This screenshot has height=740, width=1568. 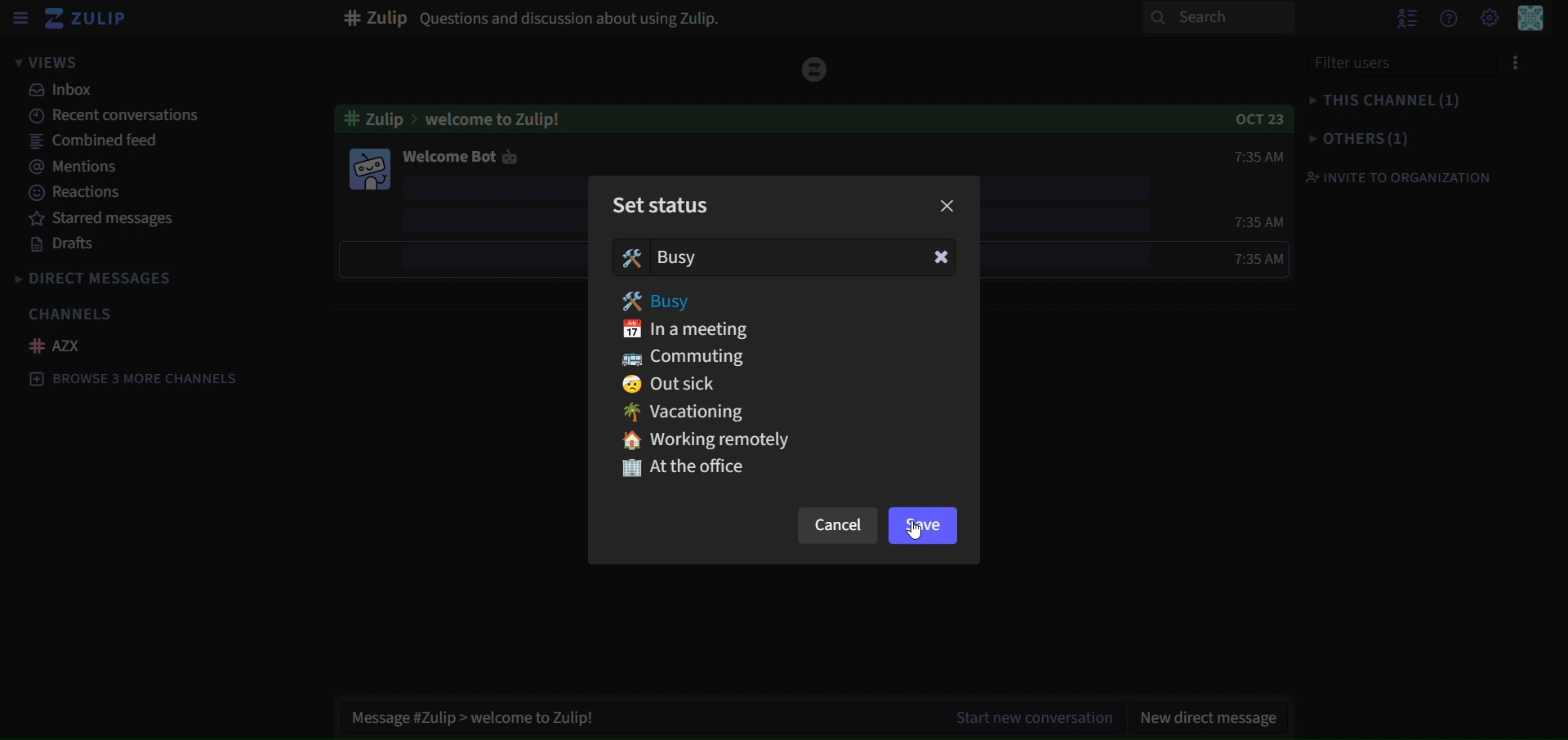 I want to click on out sick, so click(x=670, y=384).